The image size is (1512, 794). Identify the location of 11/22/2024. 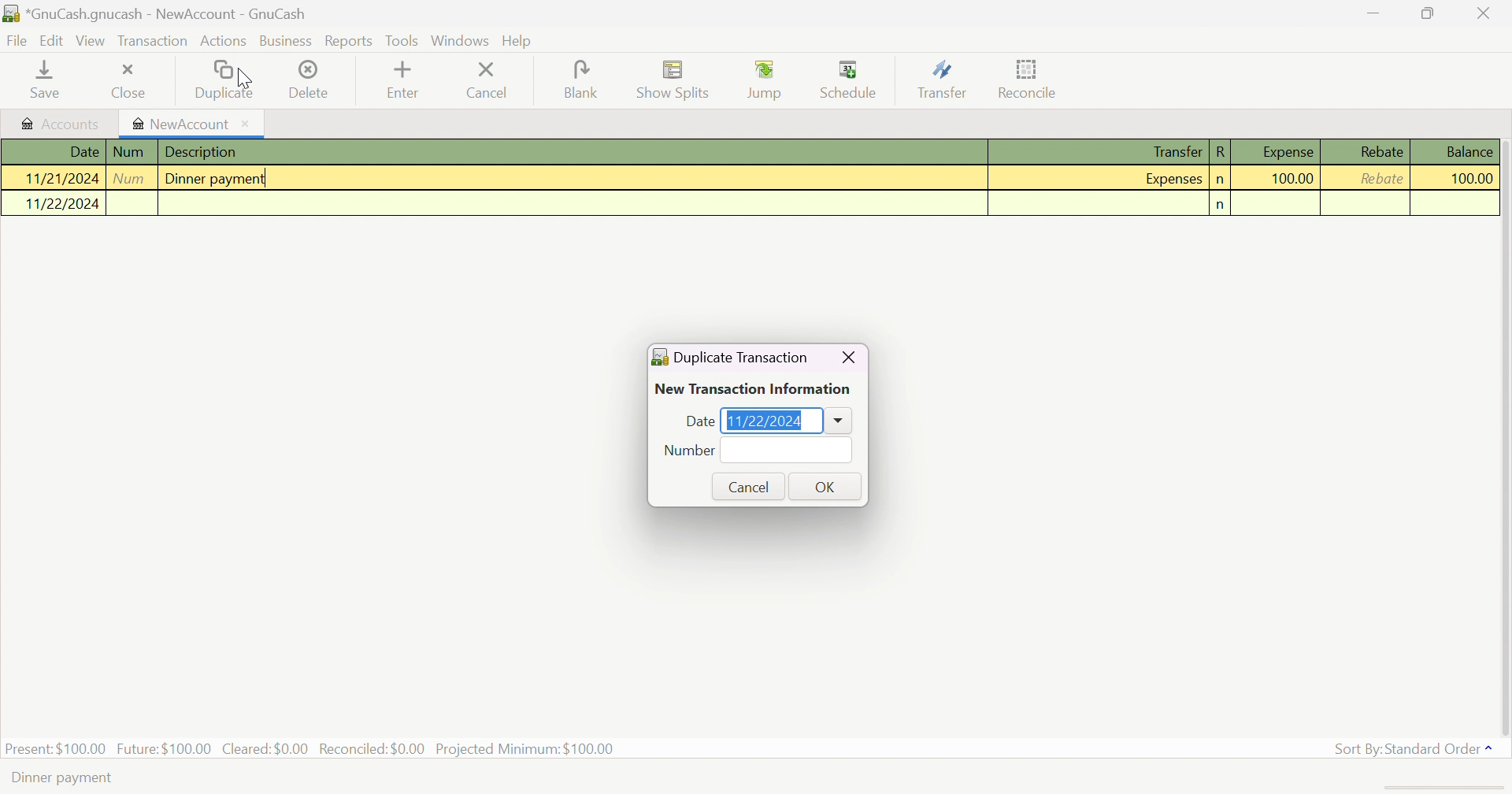
(63, 202).